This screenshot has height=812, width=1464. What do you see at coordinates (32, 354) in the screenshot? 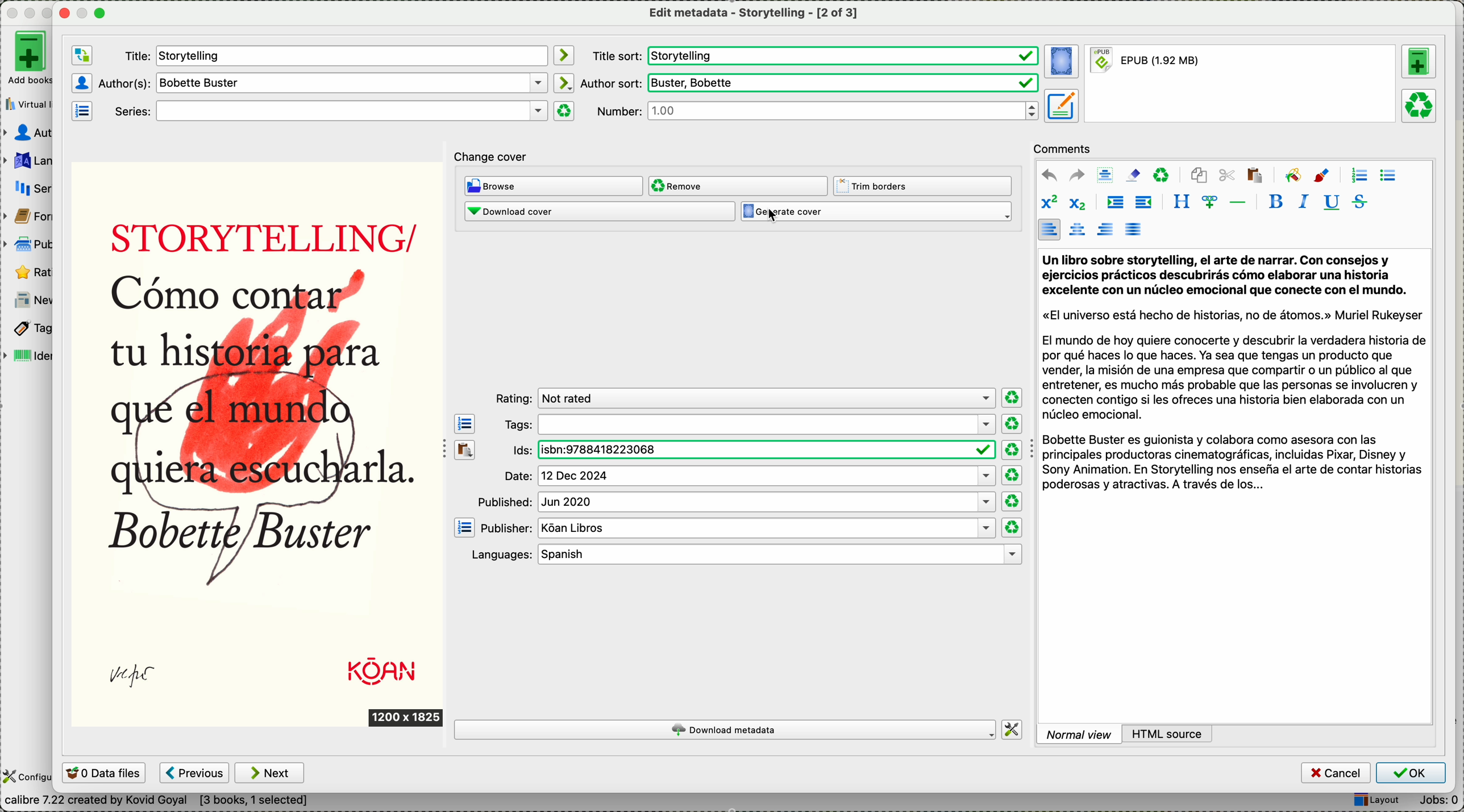
I see `identifiers` at bounding box center [32, 354].